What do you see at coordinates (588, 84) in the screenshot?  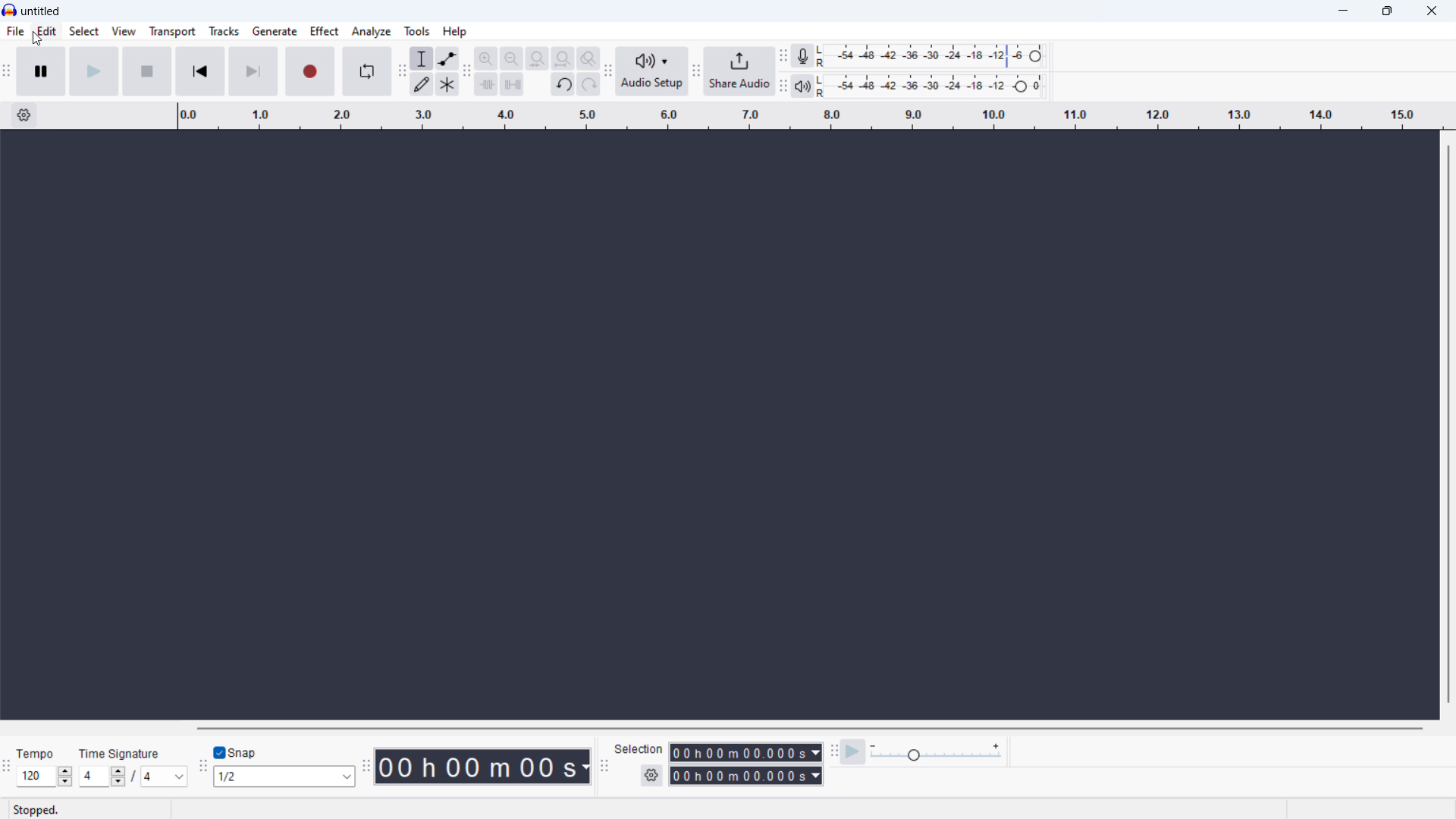 I see `redo` at bounding box center [588, 84].